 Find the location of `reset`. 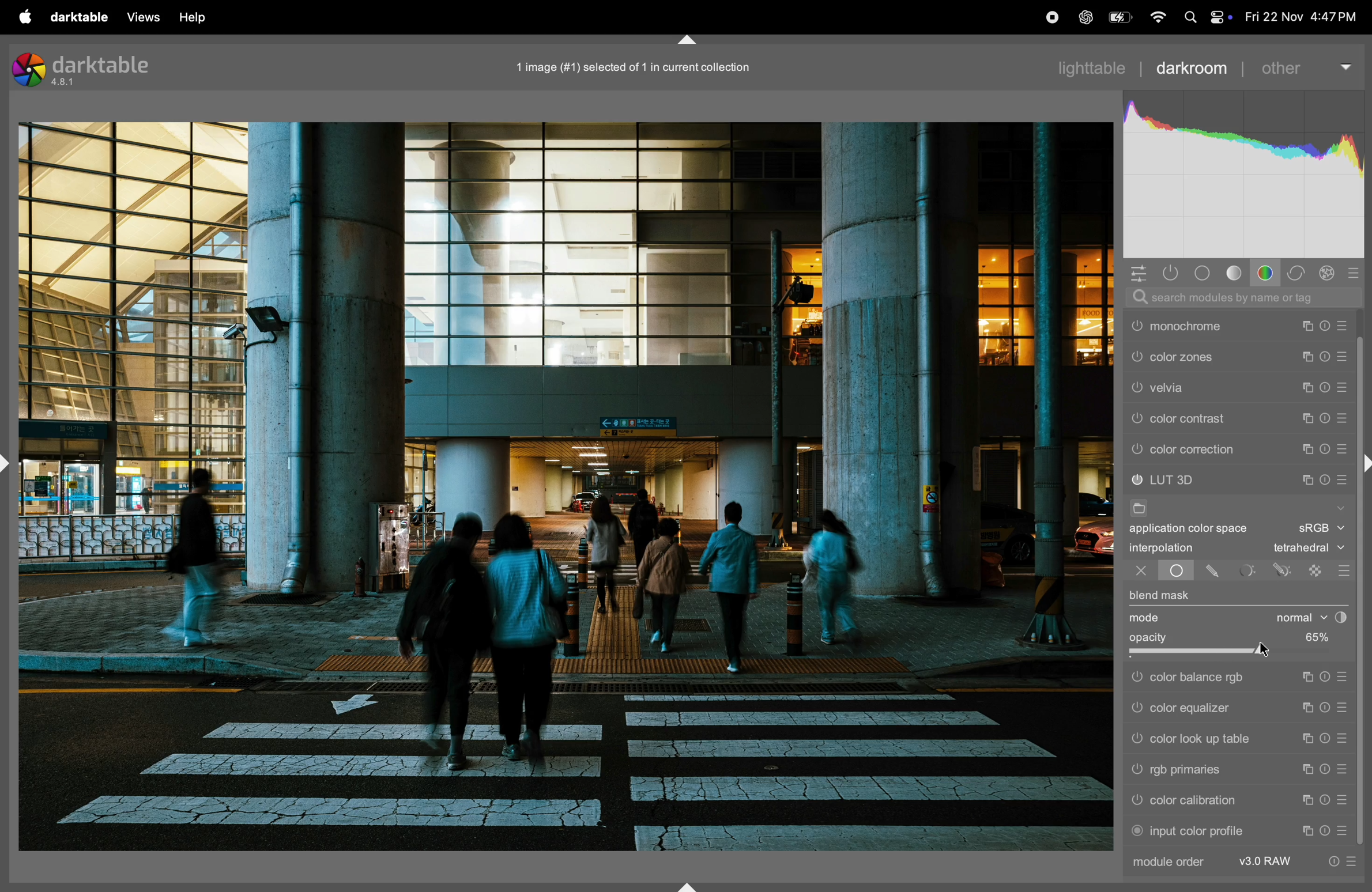

reset is located at coordinates (1328, 802).